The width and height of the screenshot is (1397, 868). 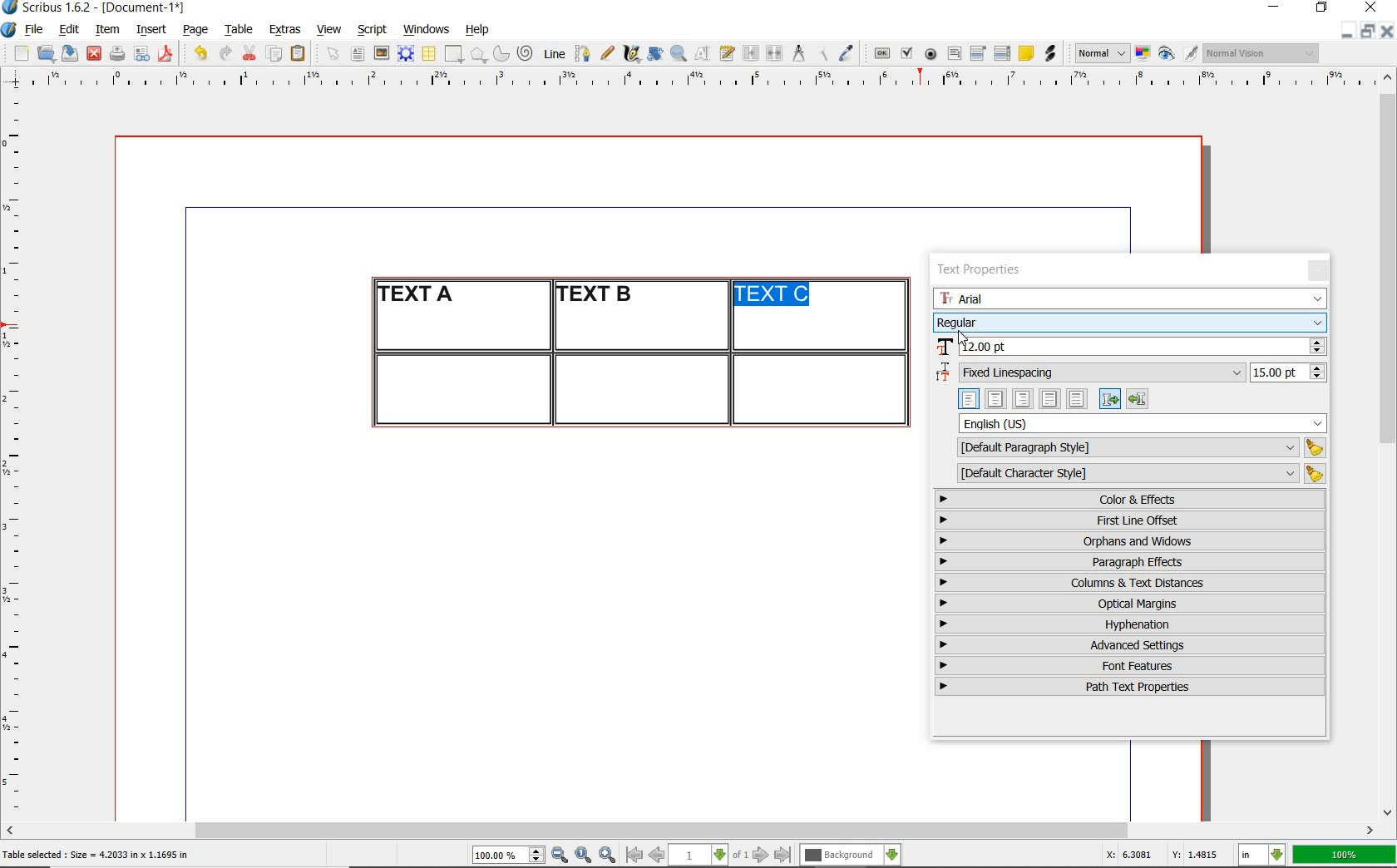 I want to click on scrollbar, so click(x=1389, y=443).